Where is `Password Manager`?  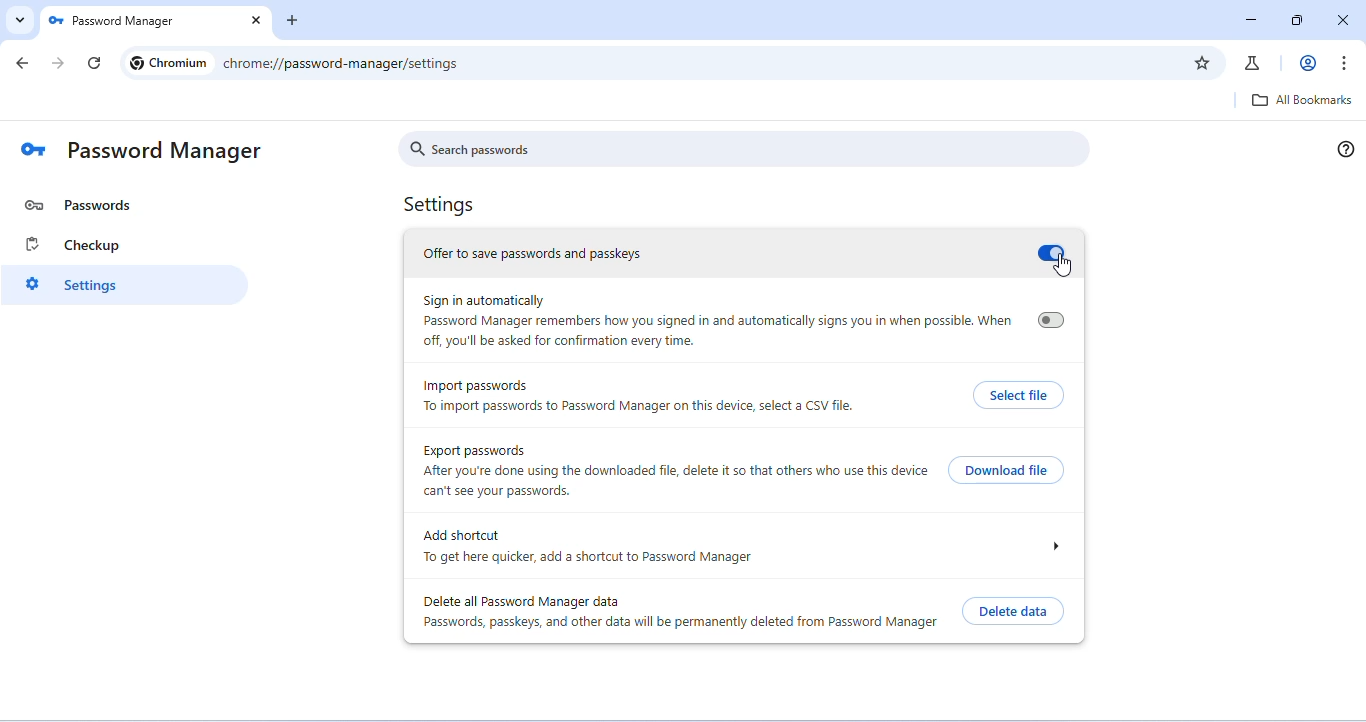 Password Manager is located at coordinates (152, 21).